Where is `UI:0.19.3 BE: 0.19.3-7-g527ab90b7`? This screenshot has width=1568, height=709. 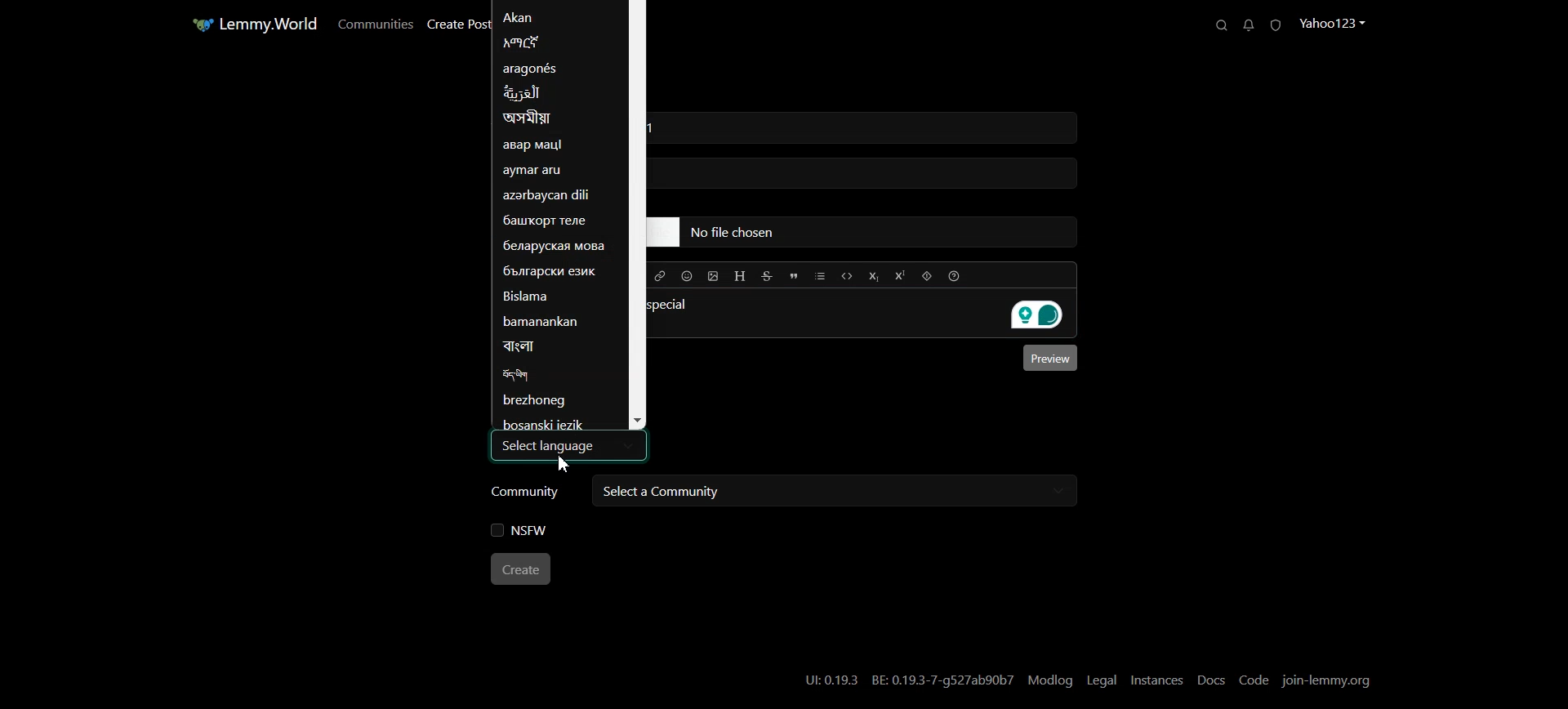 UI:0.19.3 BE: 0.19.3-7-g527ab90b7 is located at coordinates (907, 680).